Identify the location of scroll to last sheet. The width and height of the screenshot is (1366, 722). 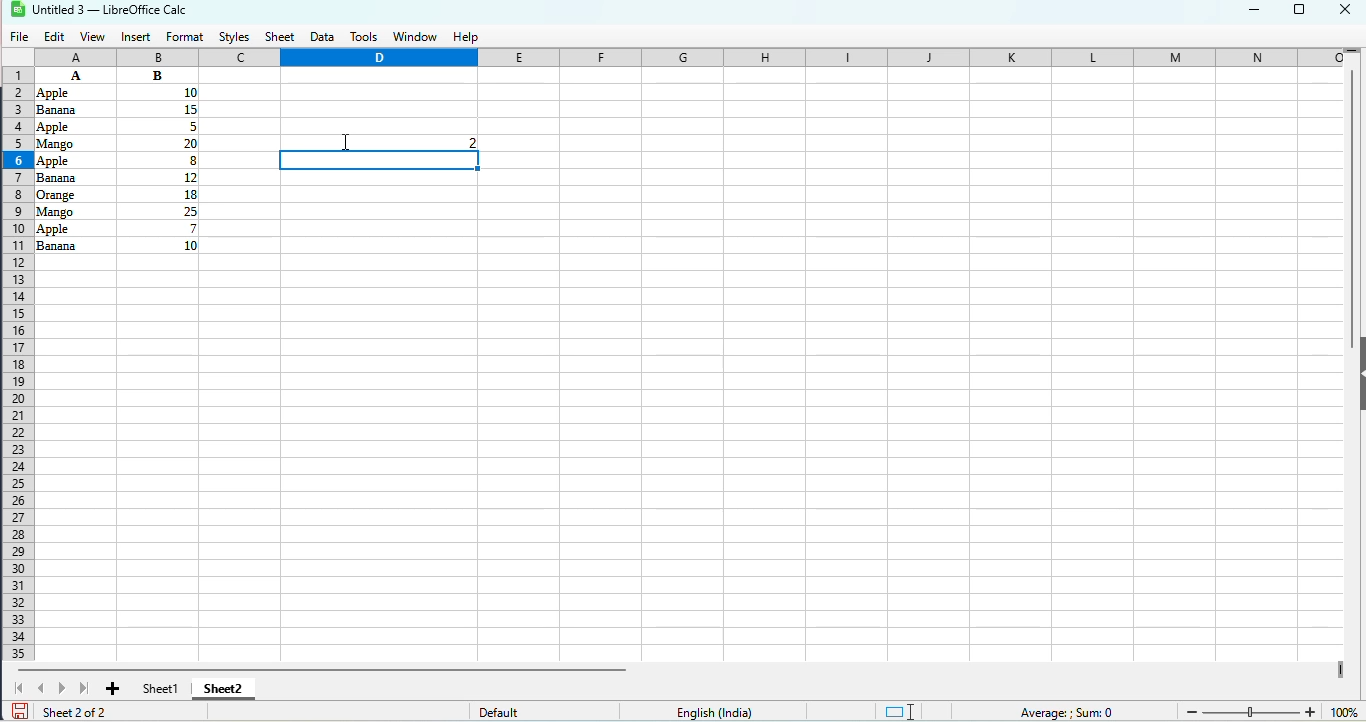
(85, 688).